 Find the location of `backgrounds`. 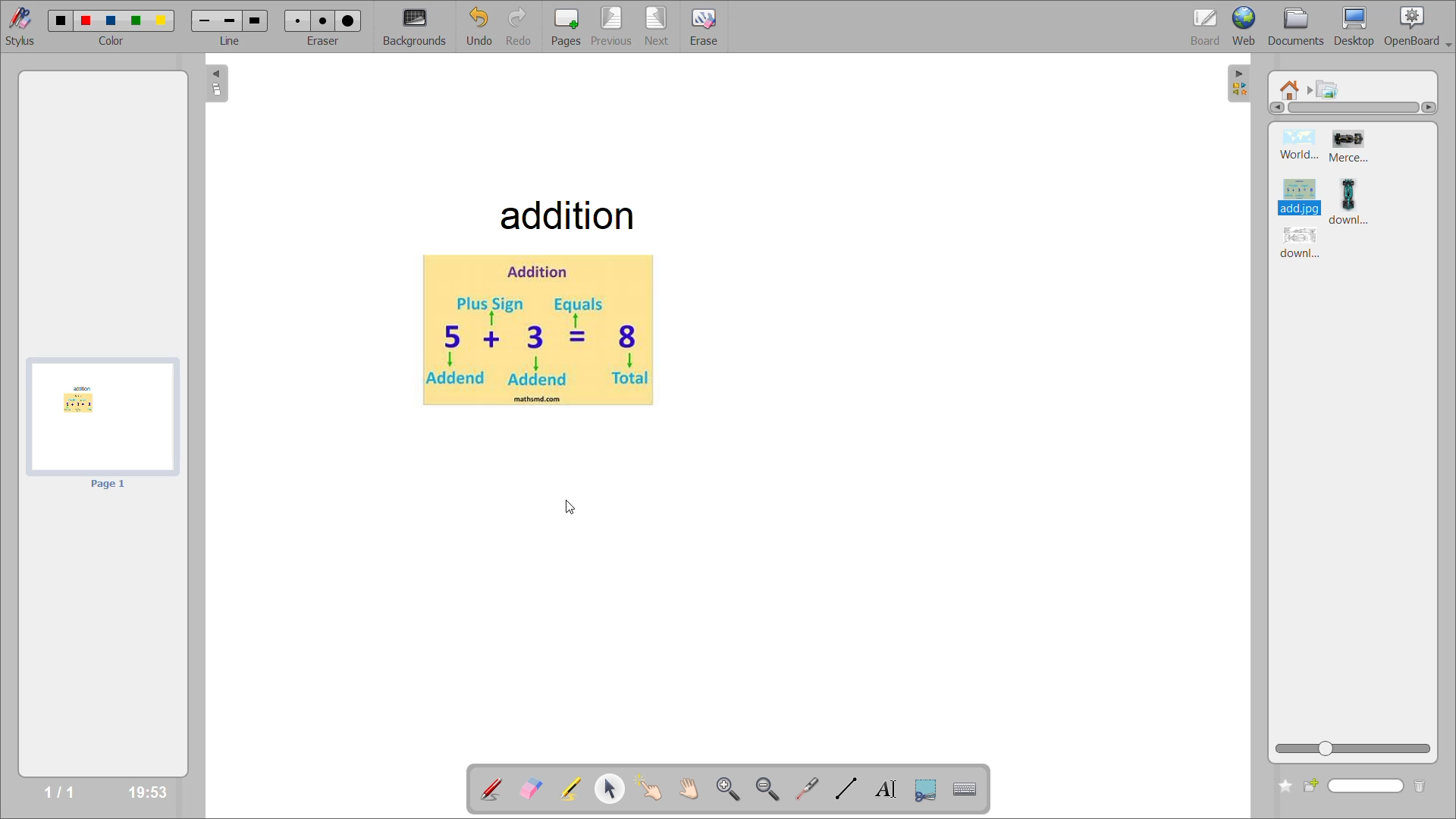

backgrounds is located at coordinates (421, 27).